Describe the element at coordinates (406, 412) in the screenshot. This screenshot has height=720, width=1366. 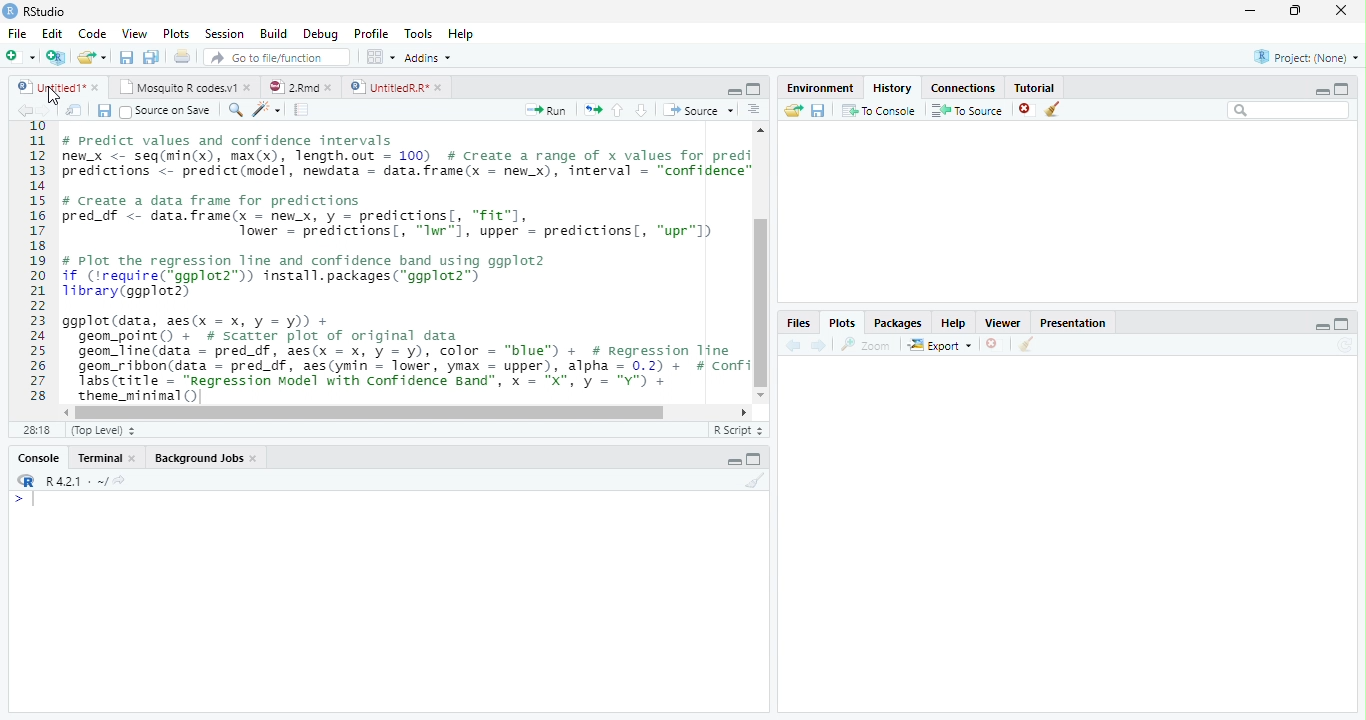
I see `Scrollbar` at that location.